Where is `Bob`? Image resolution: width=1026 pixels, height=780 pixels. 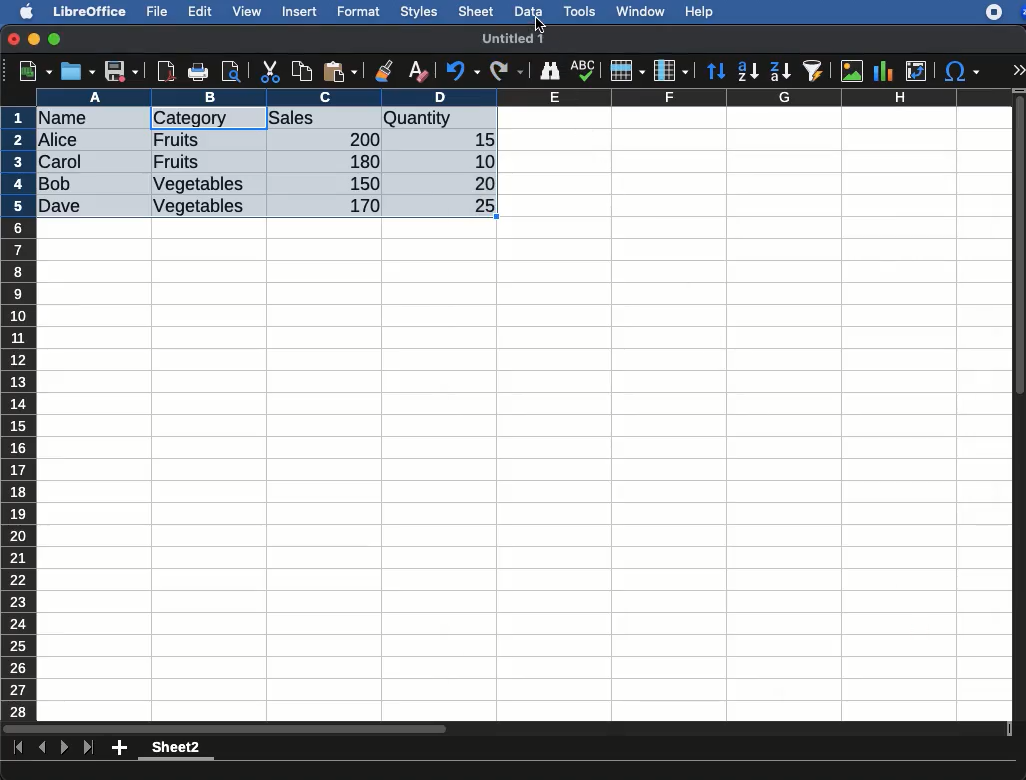 Bob is located at coordinates (56, 185).